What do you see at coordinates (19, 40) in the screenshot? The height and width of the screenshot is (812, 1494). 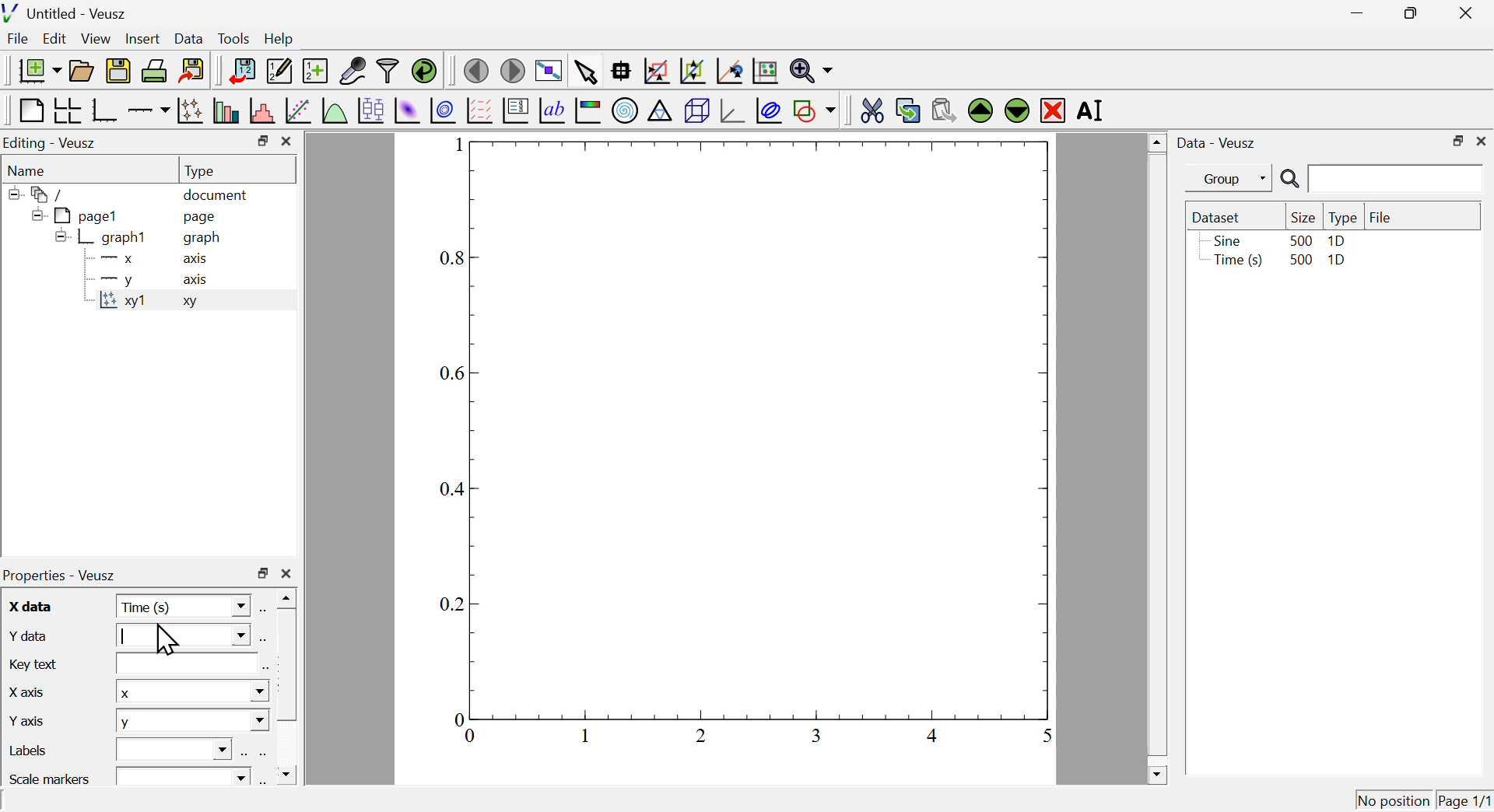 I see `file` at bounding box center [19, 40].